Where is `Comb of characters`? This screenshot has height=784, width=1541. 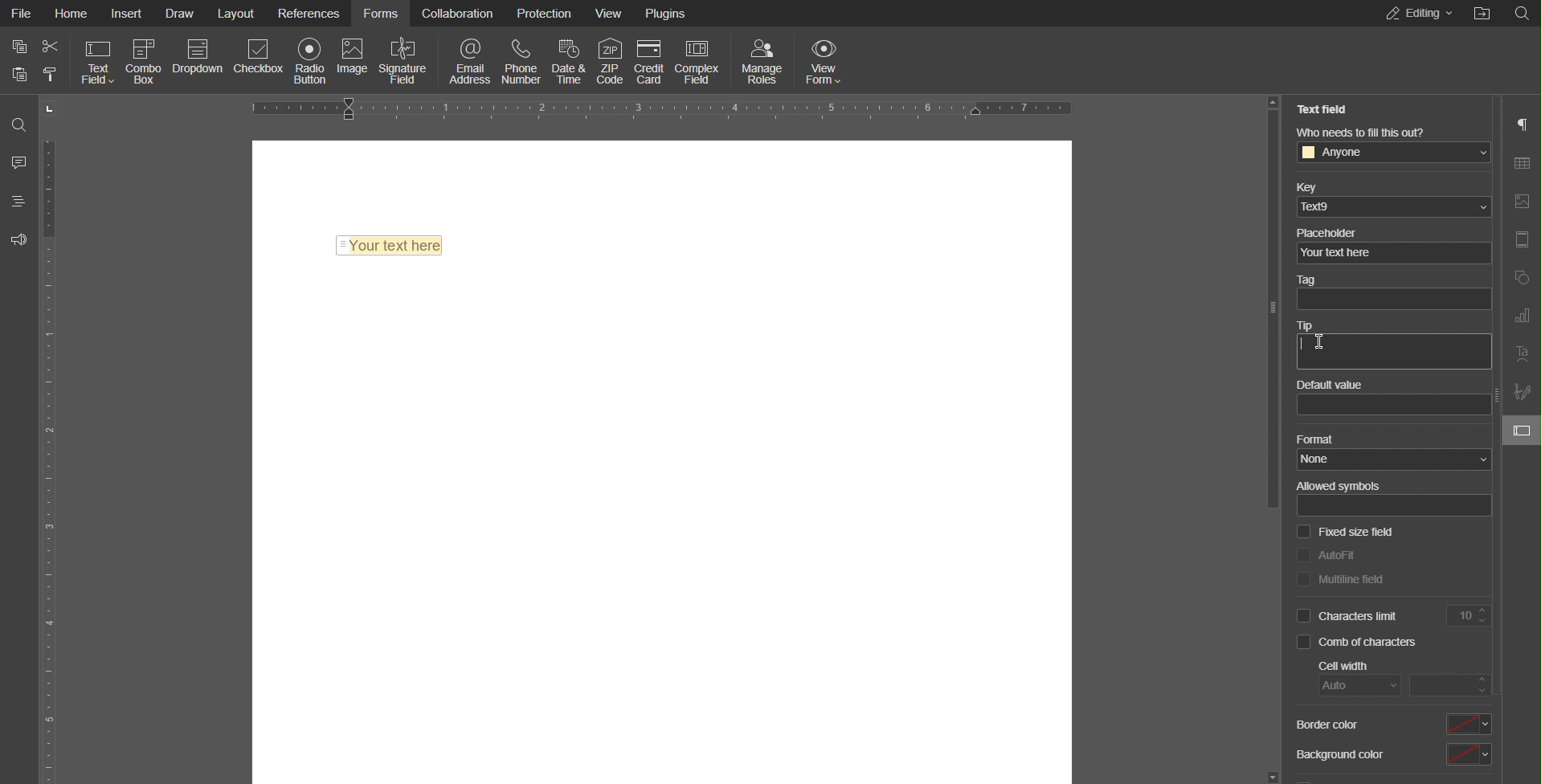
Comb of characters is located at coordinates (1373, 643).